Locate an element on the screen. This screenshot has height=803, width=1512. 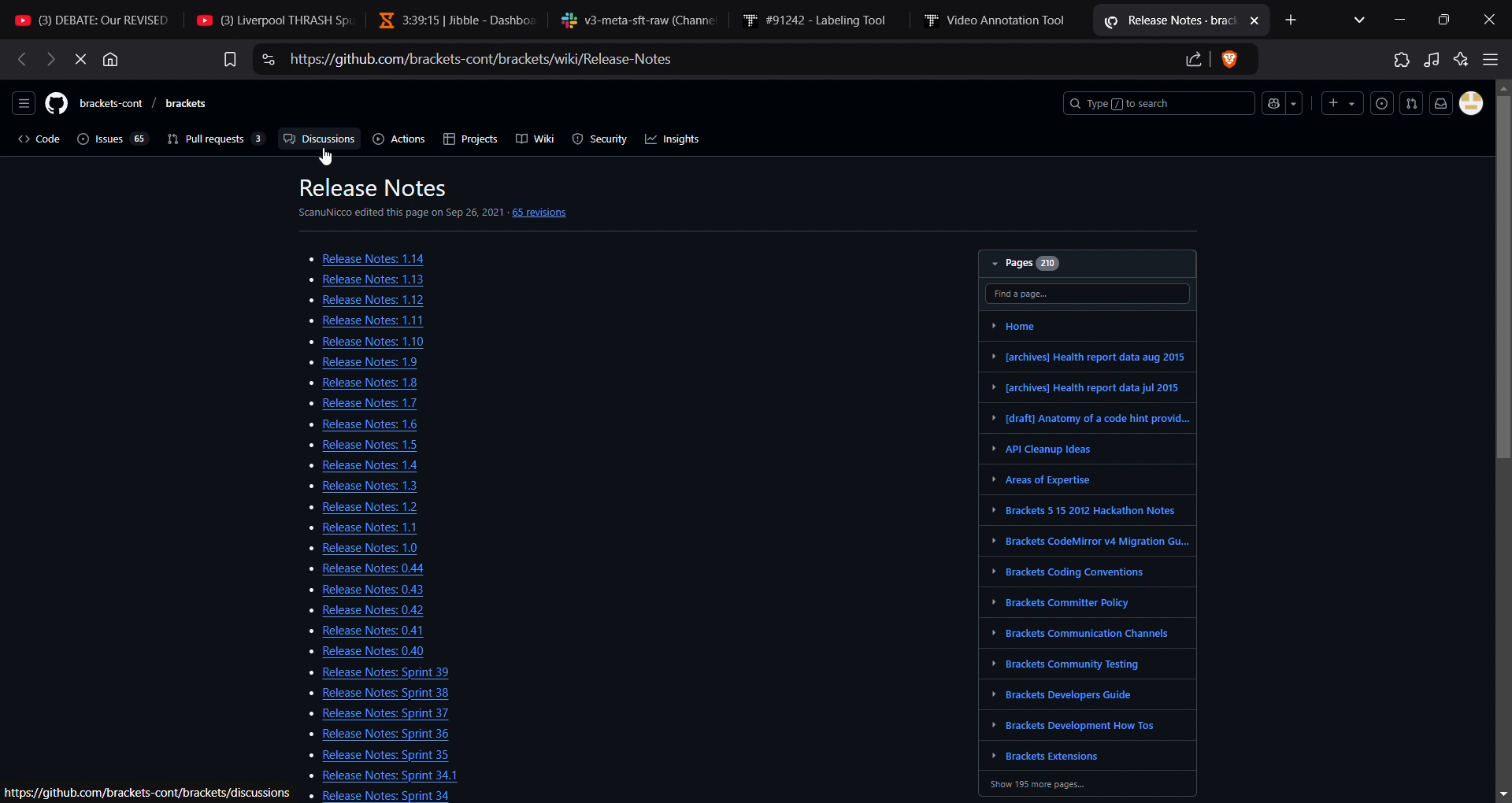
maximize/restore is located at coordinates (1446, 20).